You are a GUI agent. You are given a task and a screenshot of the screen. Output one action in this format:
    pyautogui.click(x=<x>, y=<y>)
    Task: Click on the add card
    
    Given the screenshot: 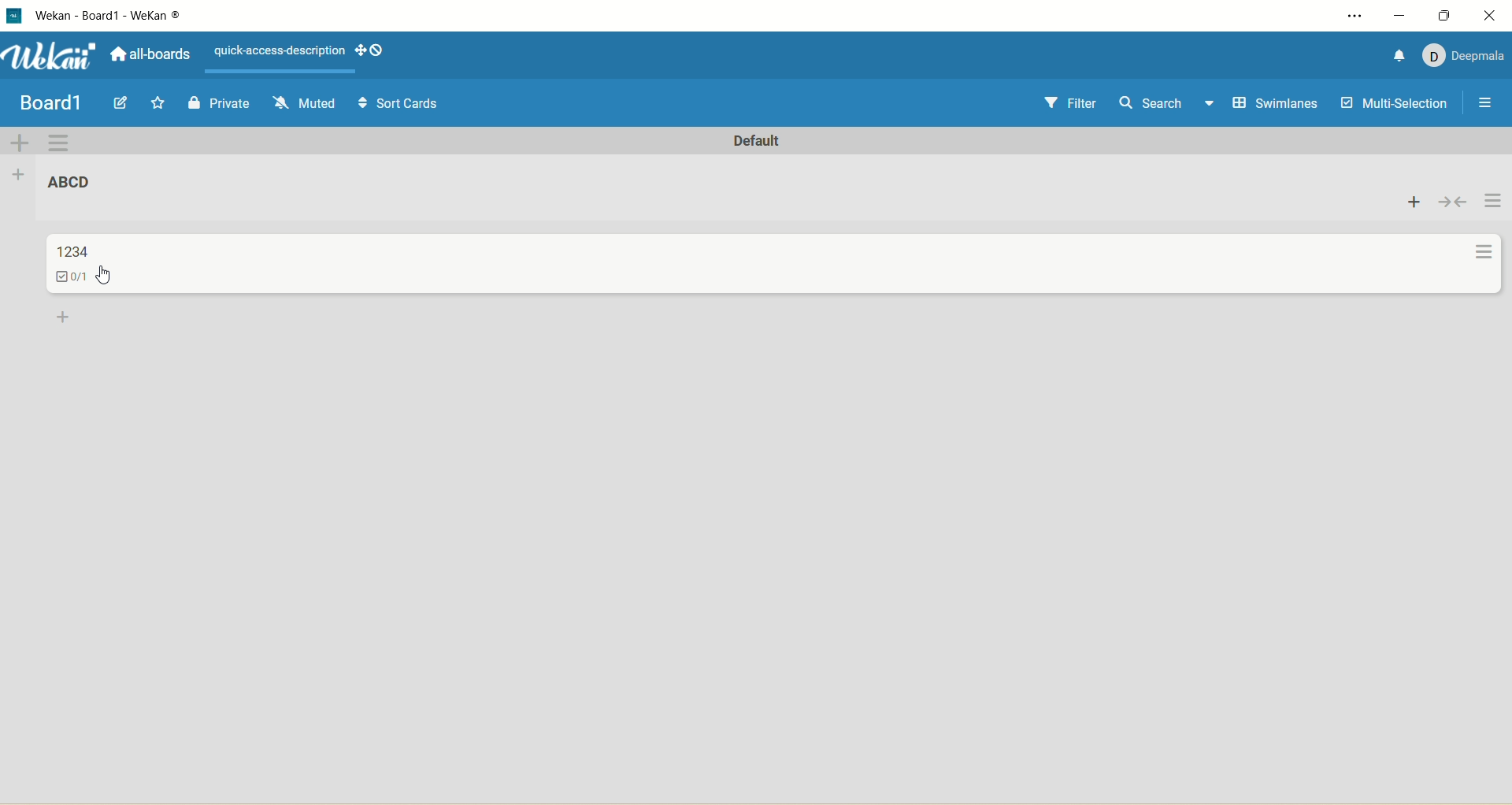 What is the action you would take?
    pyautogui.click(x=63, y=315)
    